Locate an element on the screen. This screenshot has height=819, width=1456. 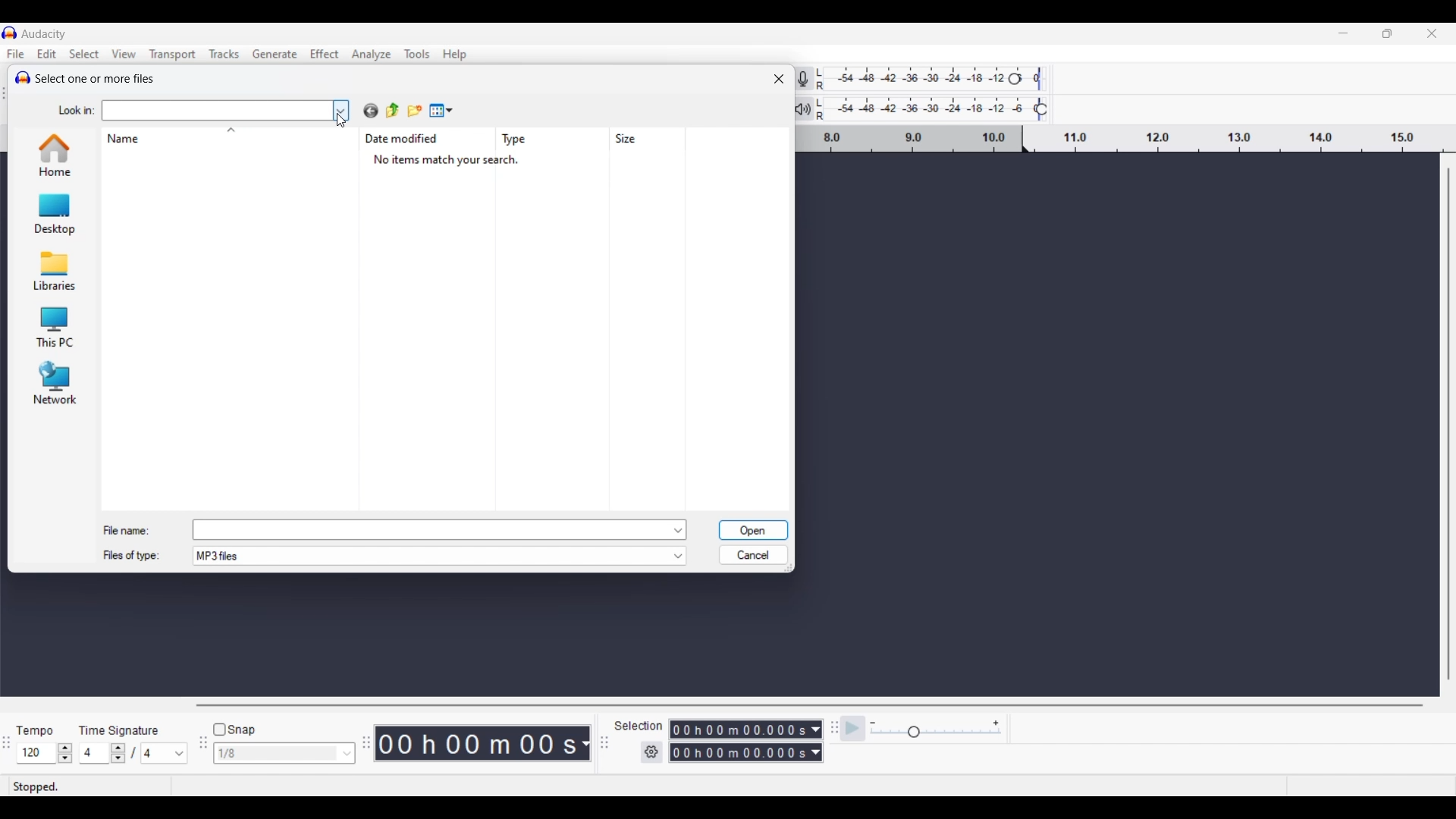
Time Signature is located at coordinates (122, 727).